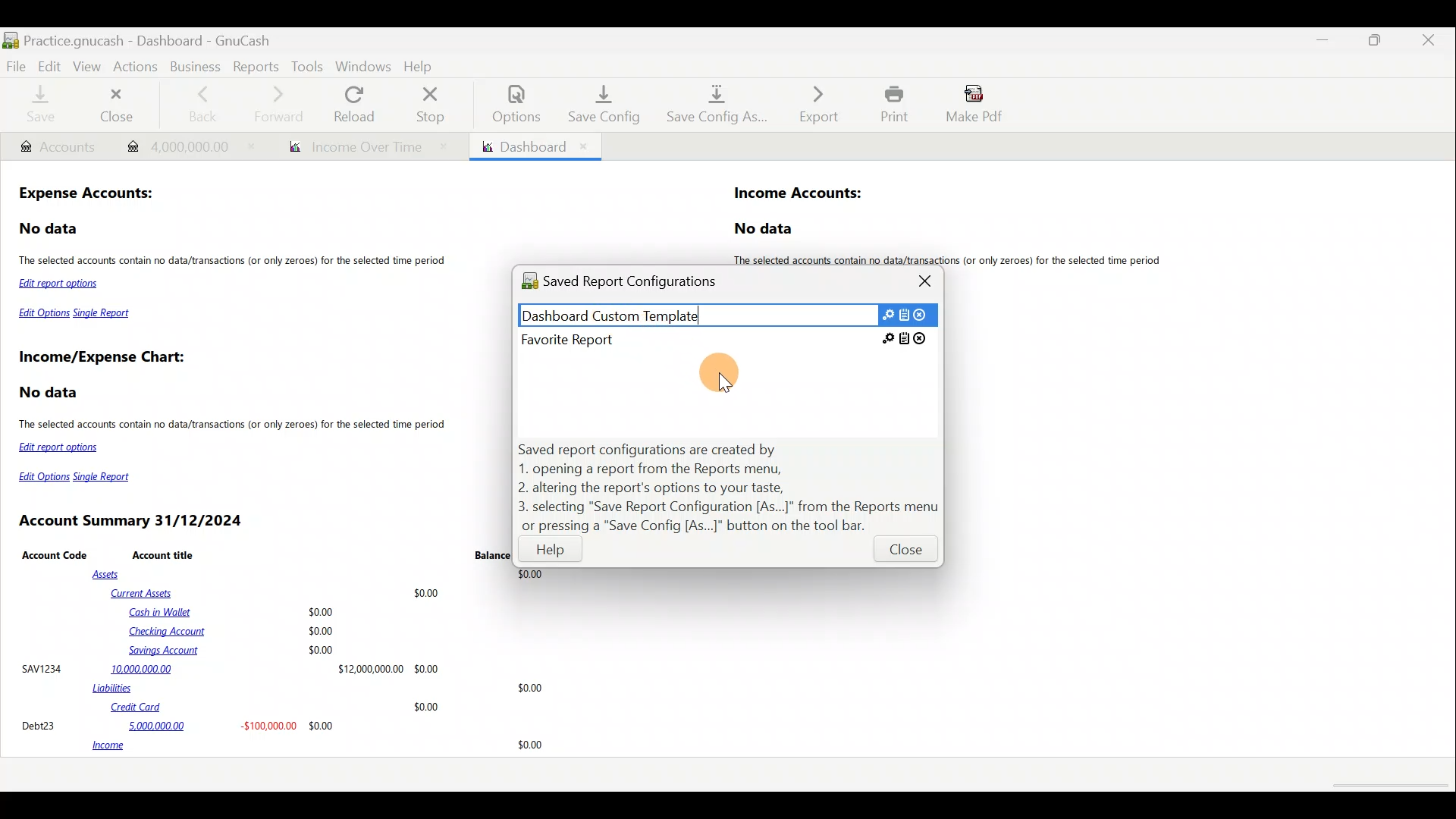 Image resolution: width=1456 pixels, height=819 pixels. Describe the element at coordinates (57, 147) in the screenshot. I see `Account` at that location.